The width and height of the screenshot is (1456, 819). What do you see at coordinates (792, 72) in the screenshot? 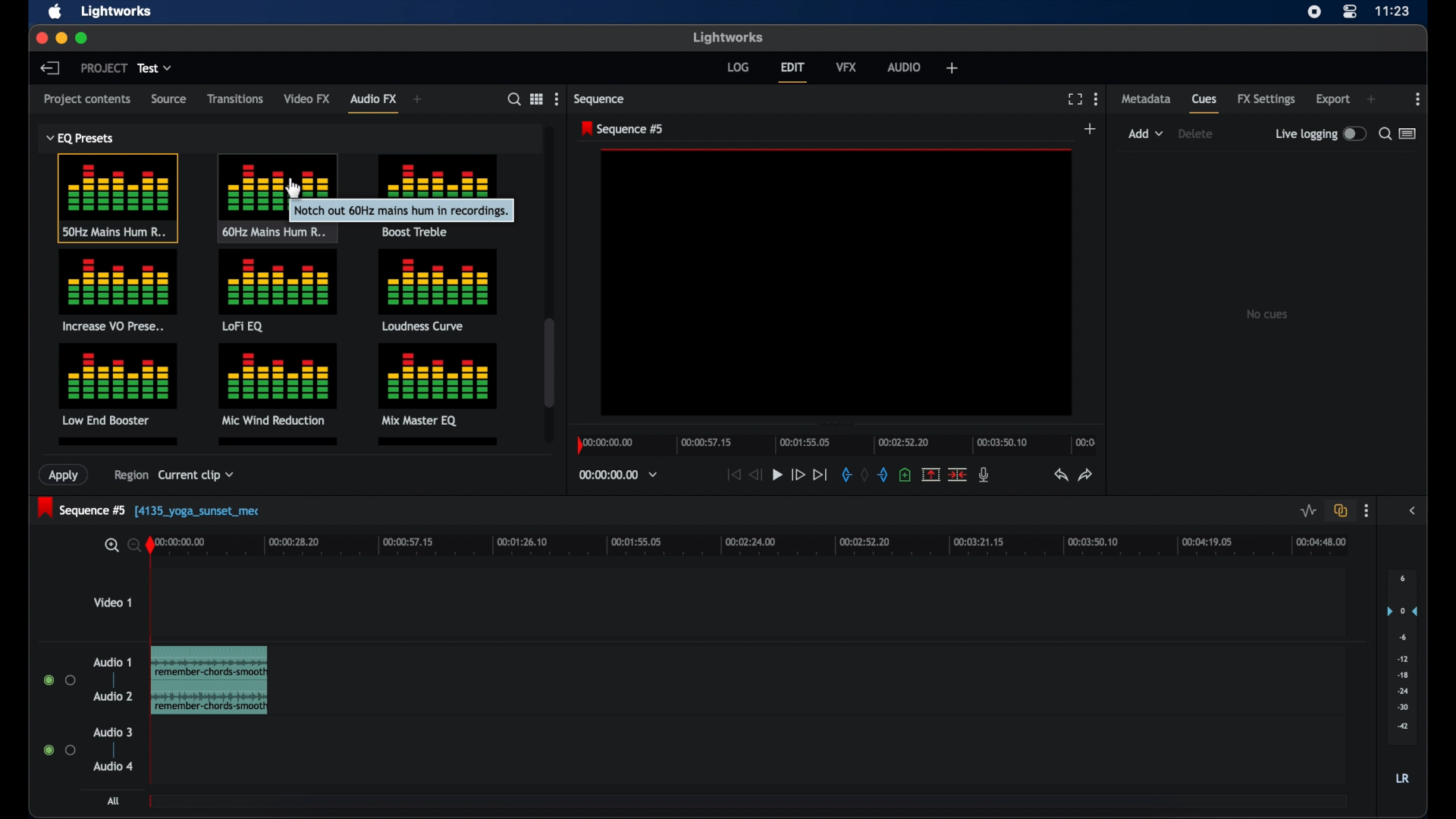
I see `edit` at bounding box center [792, 72].